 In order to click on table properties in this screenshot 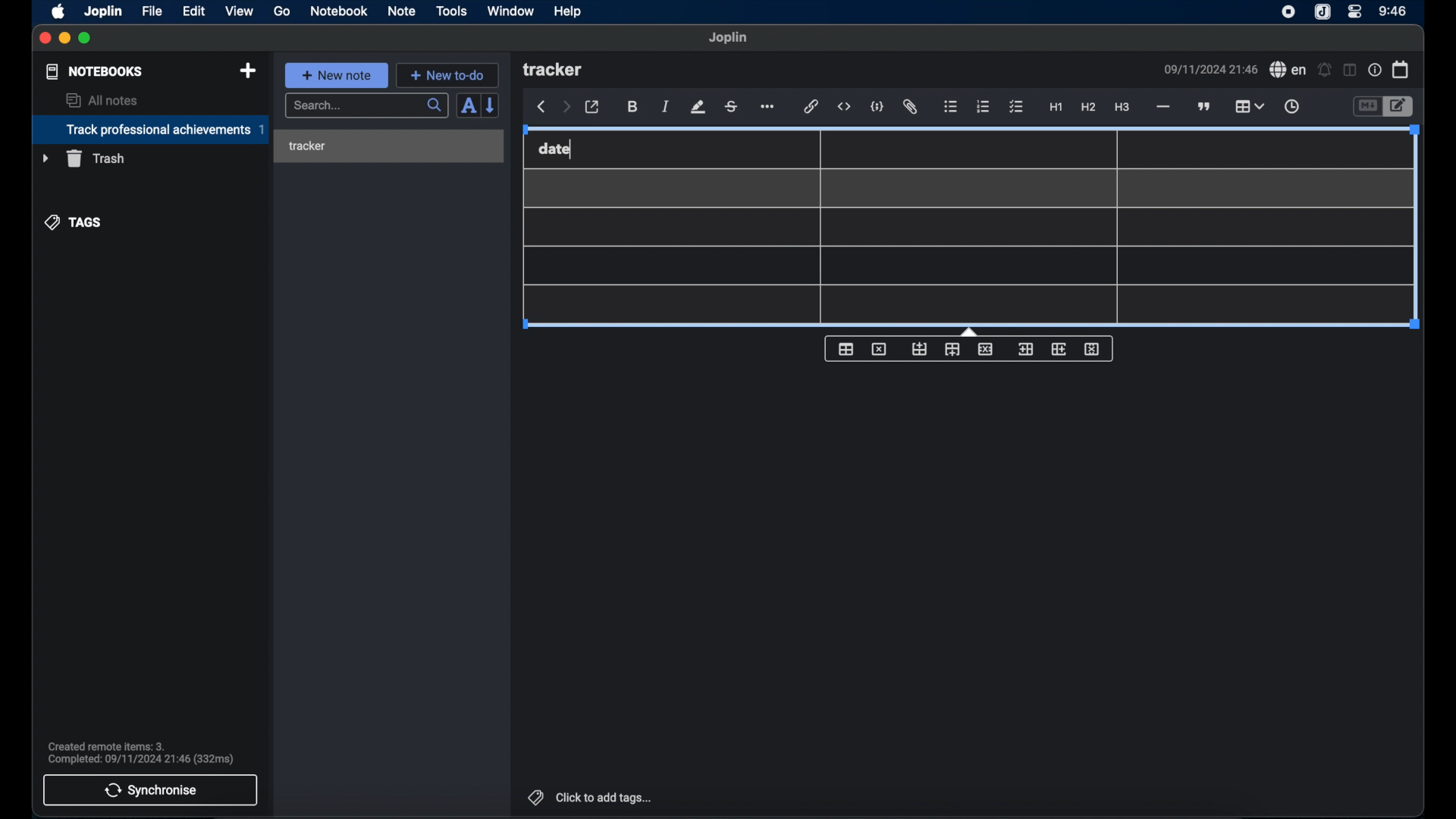, I will do `click(846, 350)`.